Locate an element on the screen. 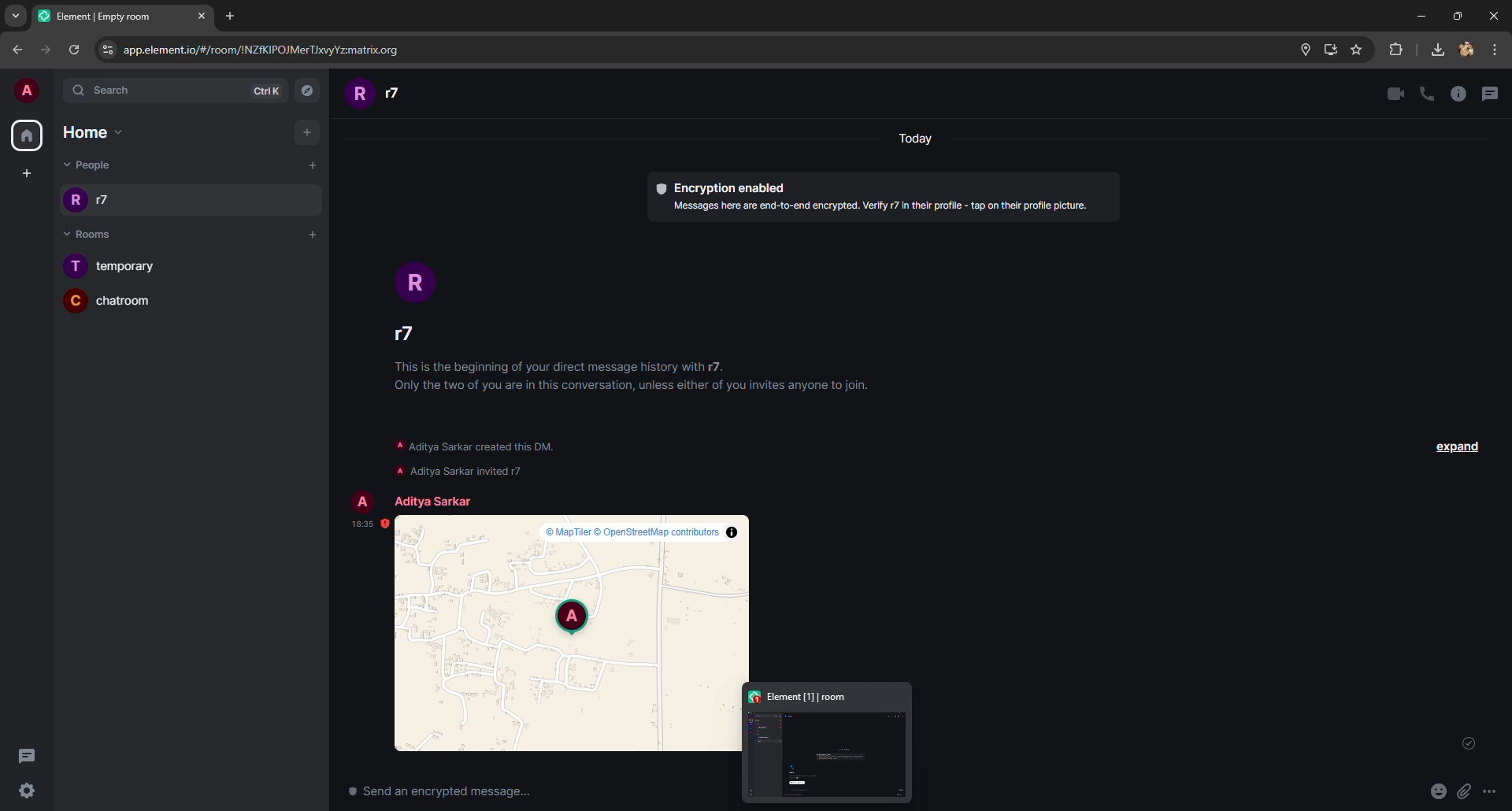 The height and width of the screenshot is (811, 1512). downloads is located at coordinates (1436, 48).